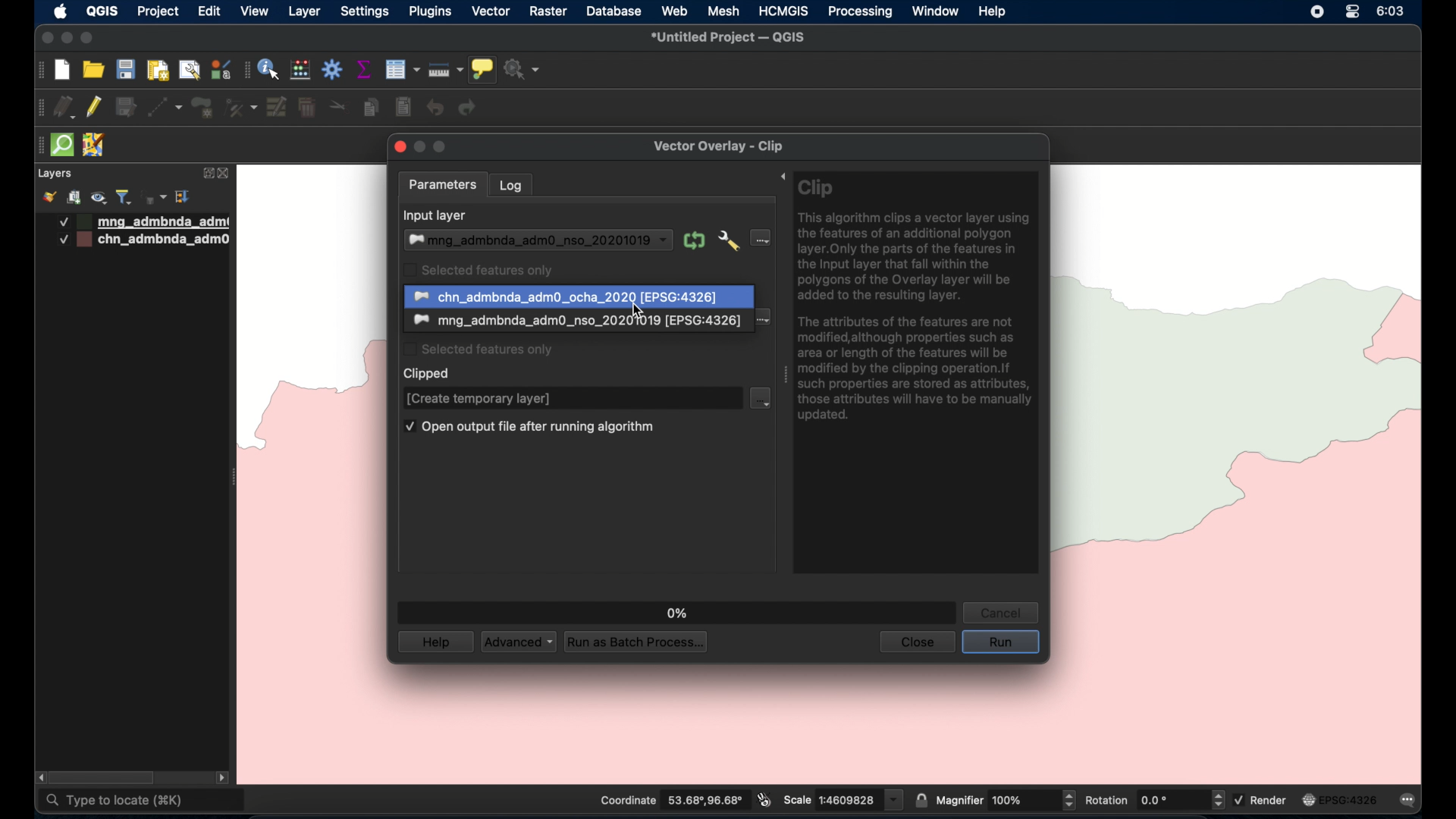 The width and height of the screenshot is (1456, 819). Describe the element at coordinates (915, 643) in the screenshot. I see `close` at that location.